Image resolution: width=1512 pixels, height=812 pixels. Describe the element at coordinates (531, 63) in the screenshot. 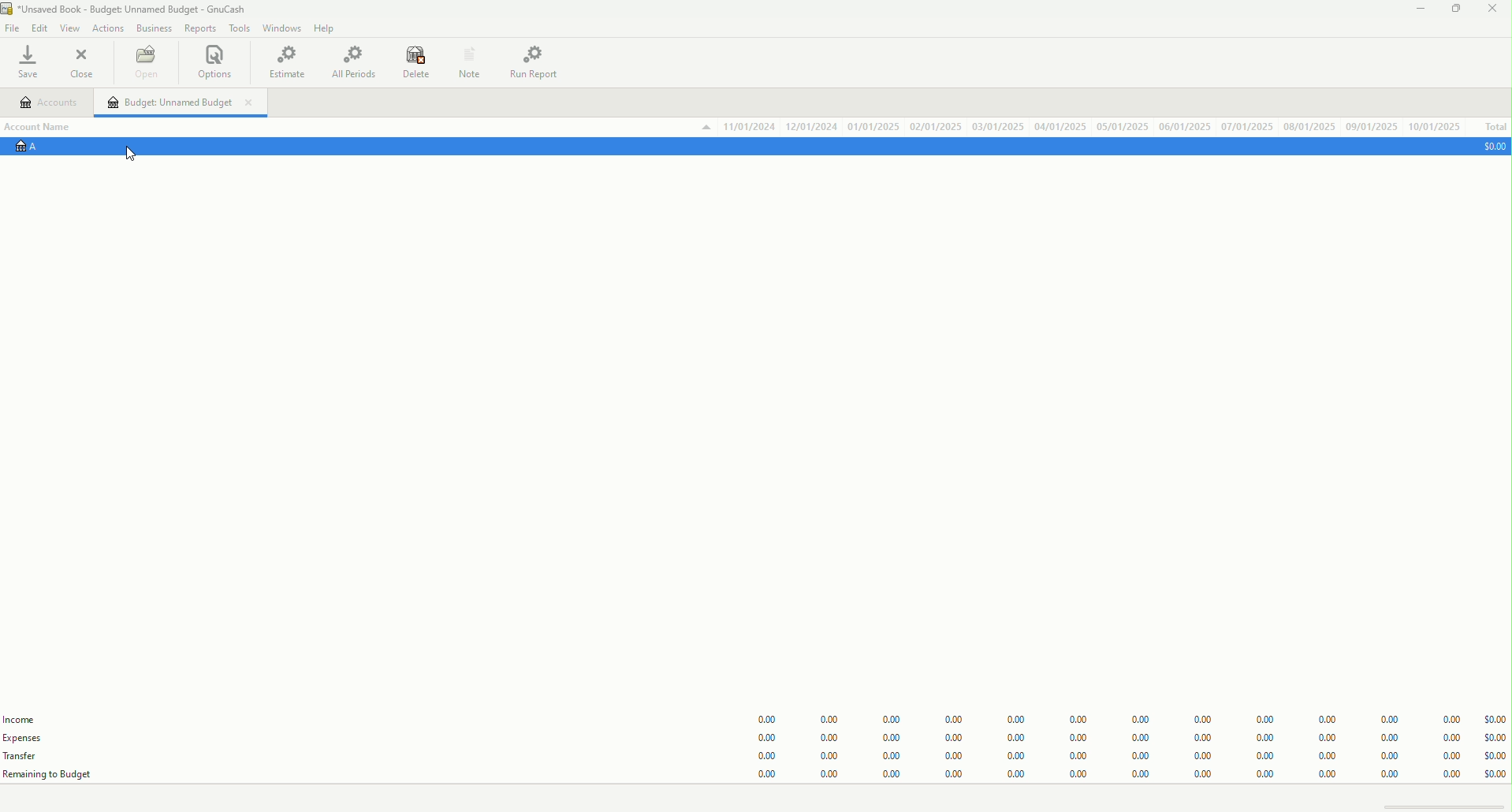

I see `Run Report` at that location.